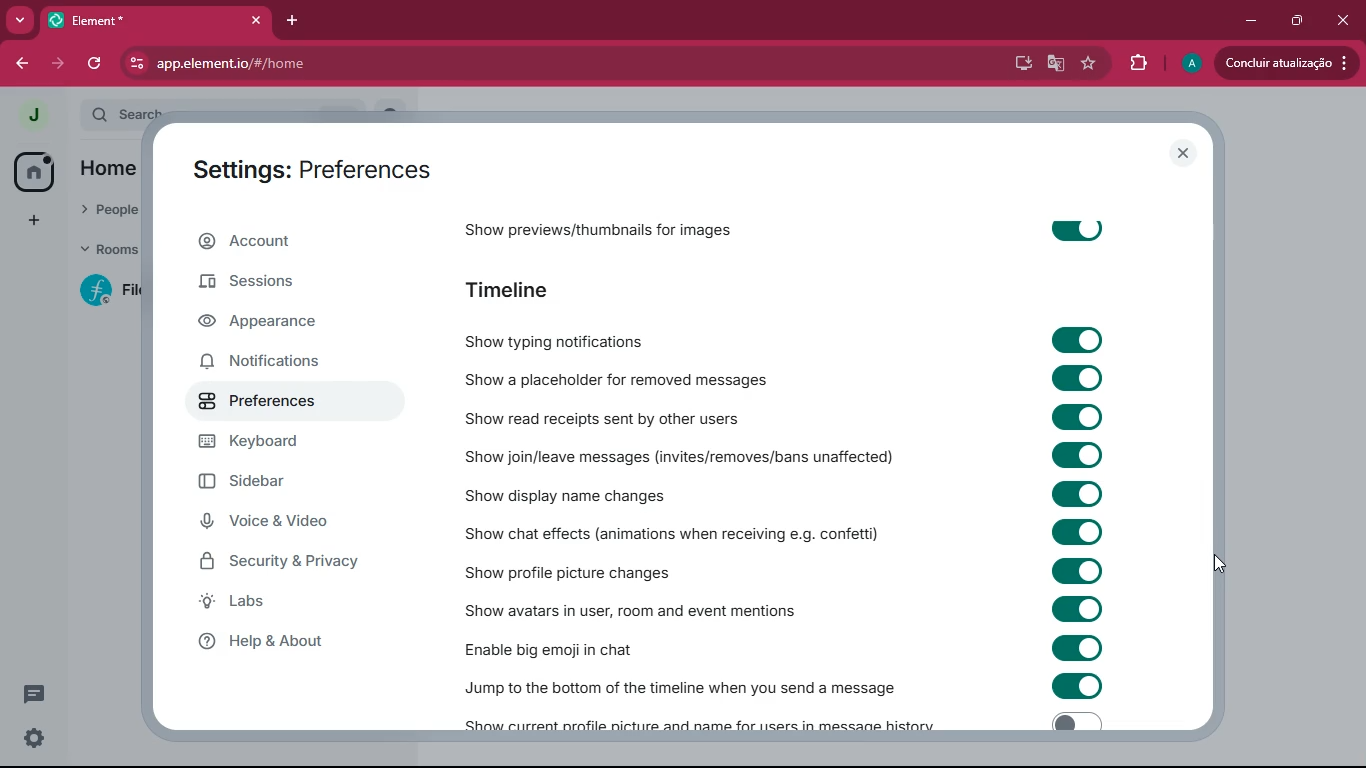 Image resolution: width=1366 pixels, height=768 pixels. Describe the element at coordinates (1092, 65) in the screenshot. I see `favourite` at that location.